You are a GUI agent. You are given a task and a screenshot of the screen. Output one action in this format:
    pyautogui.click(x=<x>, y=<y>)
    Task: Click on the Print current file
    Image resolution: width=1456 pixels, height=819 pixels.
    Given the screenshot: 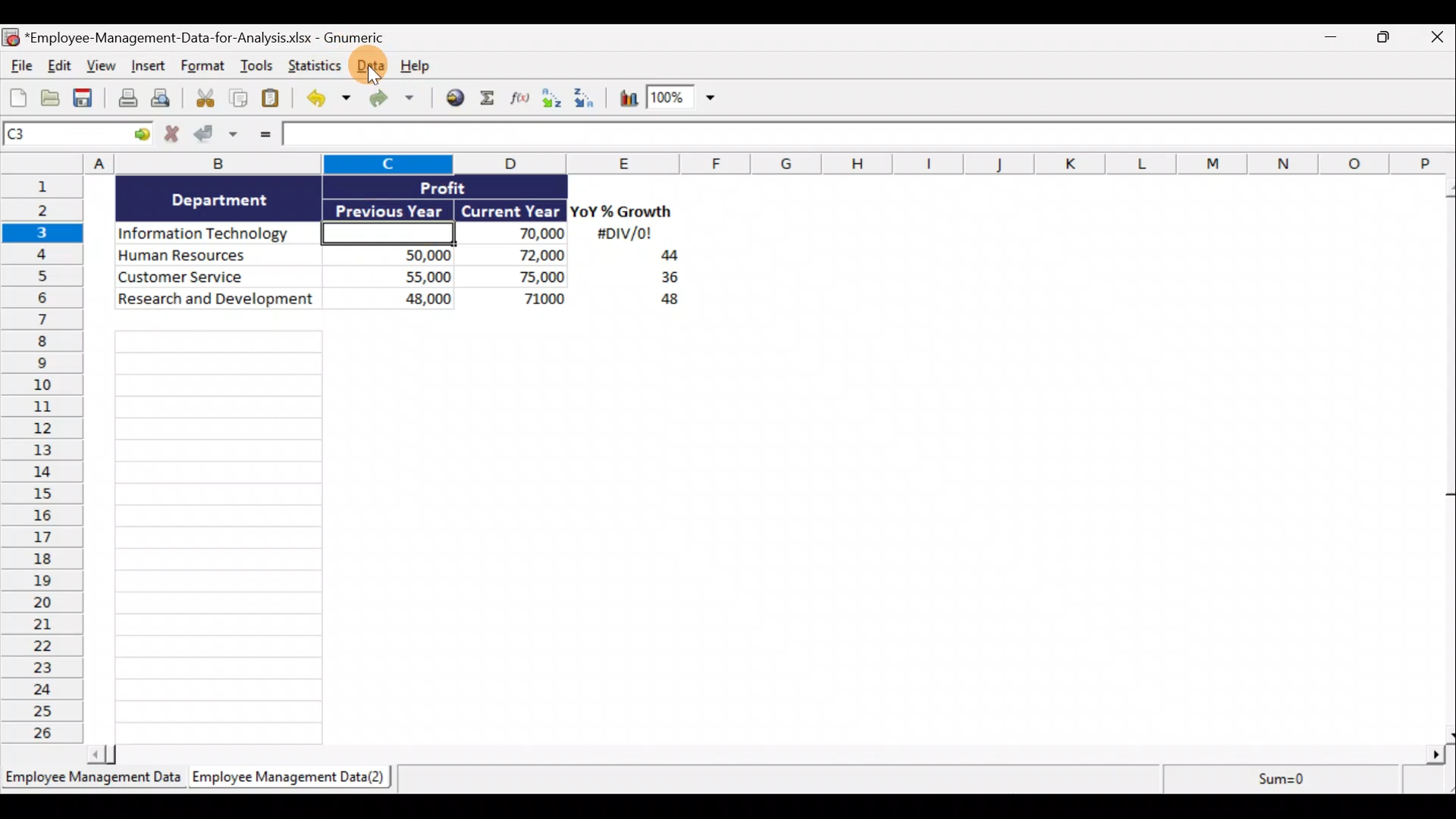 What is the action you would take?
    pyautogui.click(x=125, y=99)
    